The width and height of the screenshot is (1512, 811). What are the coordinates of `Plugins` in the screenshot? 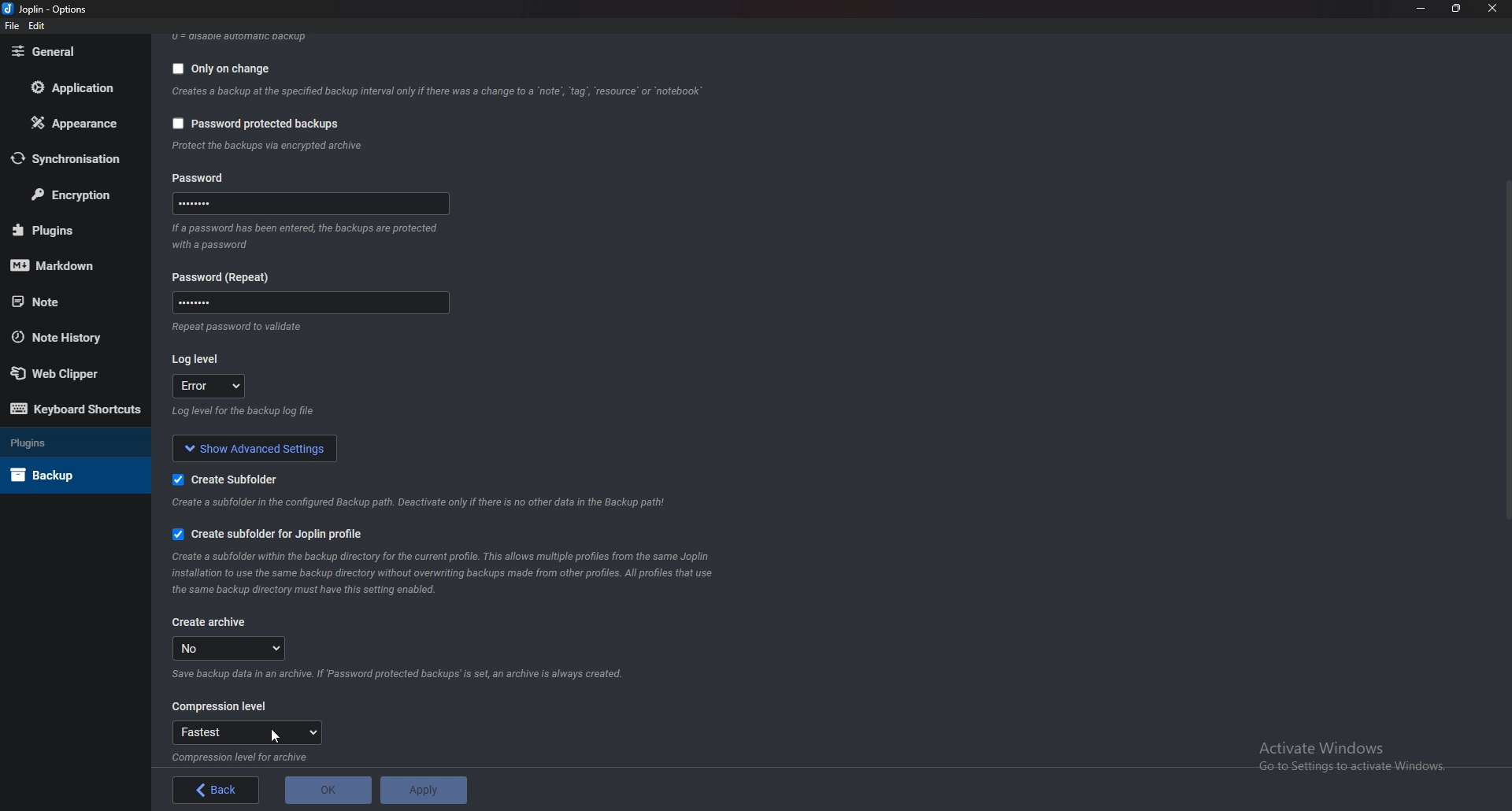 It's located at (68, 230).